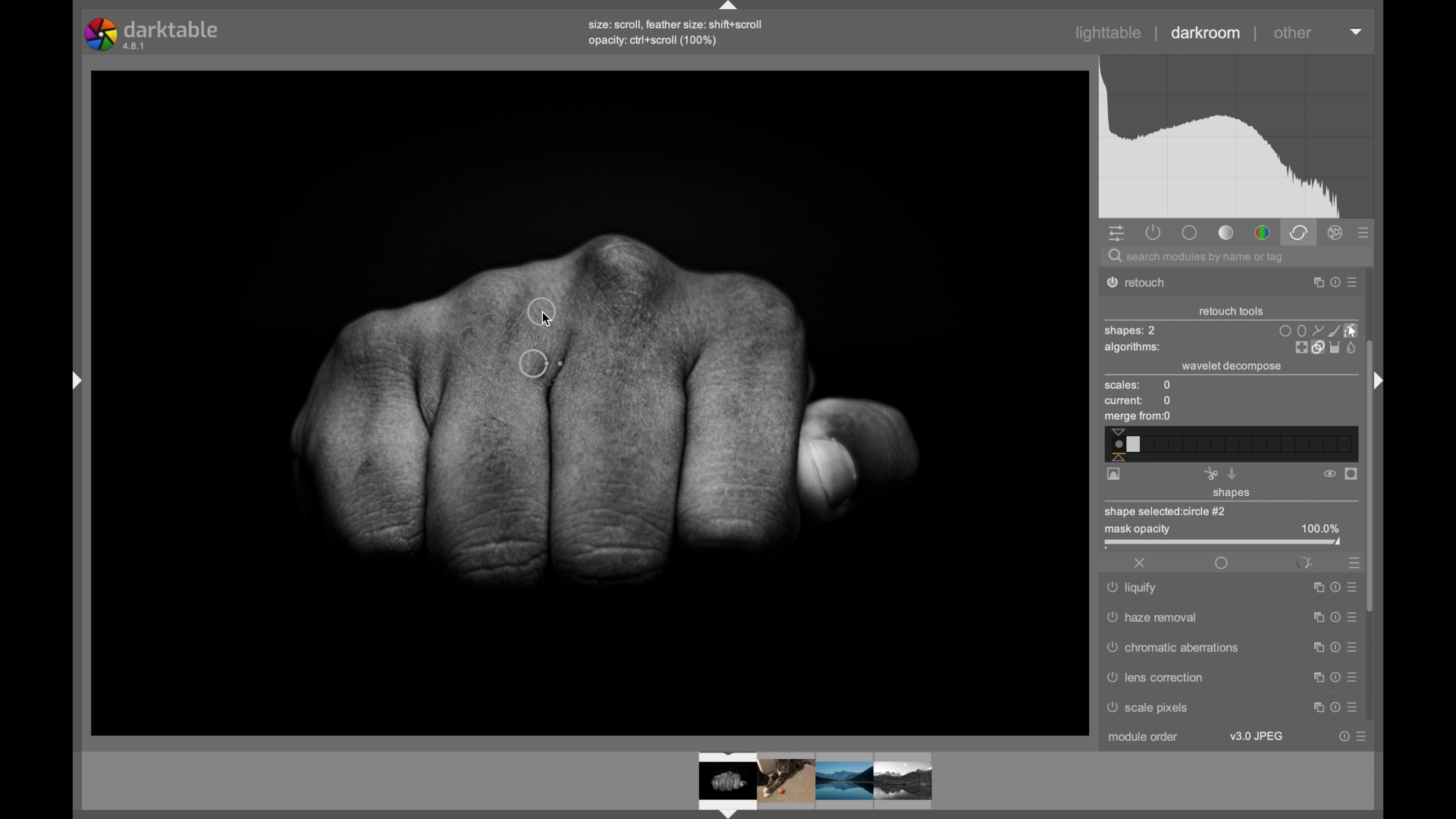 This screenshot has width=1456, height=819. What do you see at coordinates (1138, 418) in the screenshot?
I see `merge from: 0` at bounding box center [1138, 418].